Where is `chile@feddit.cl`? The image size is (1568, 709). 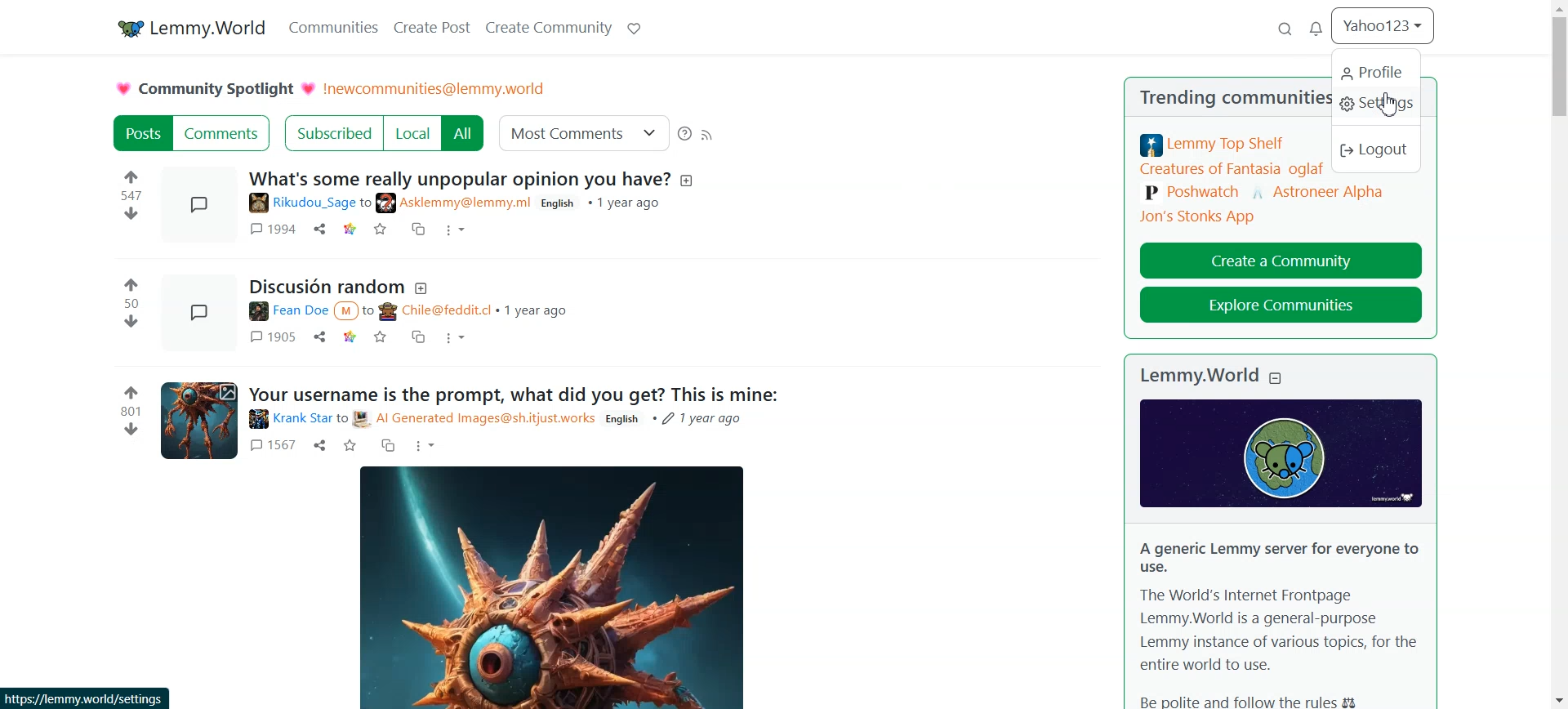 chile@feddit.cl is located at coordinates (435, 312).